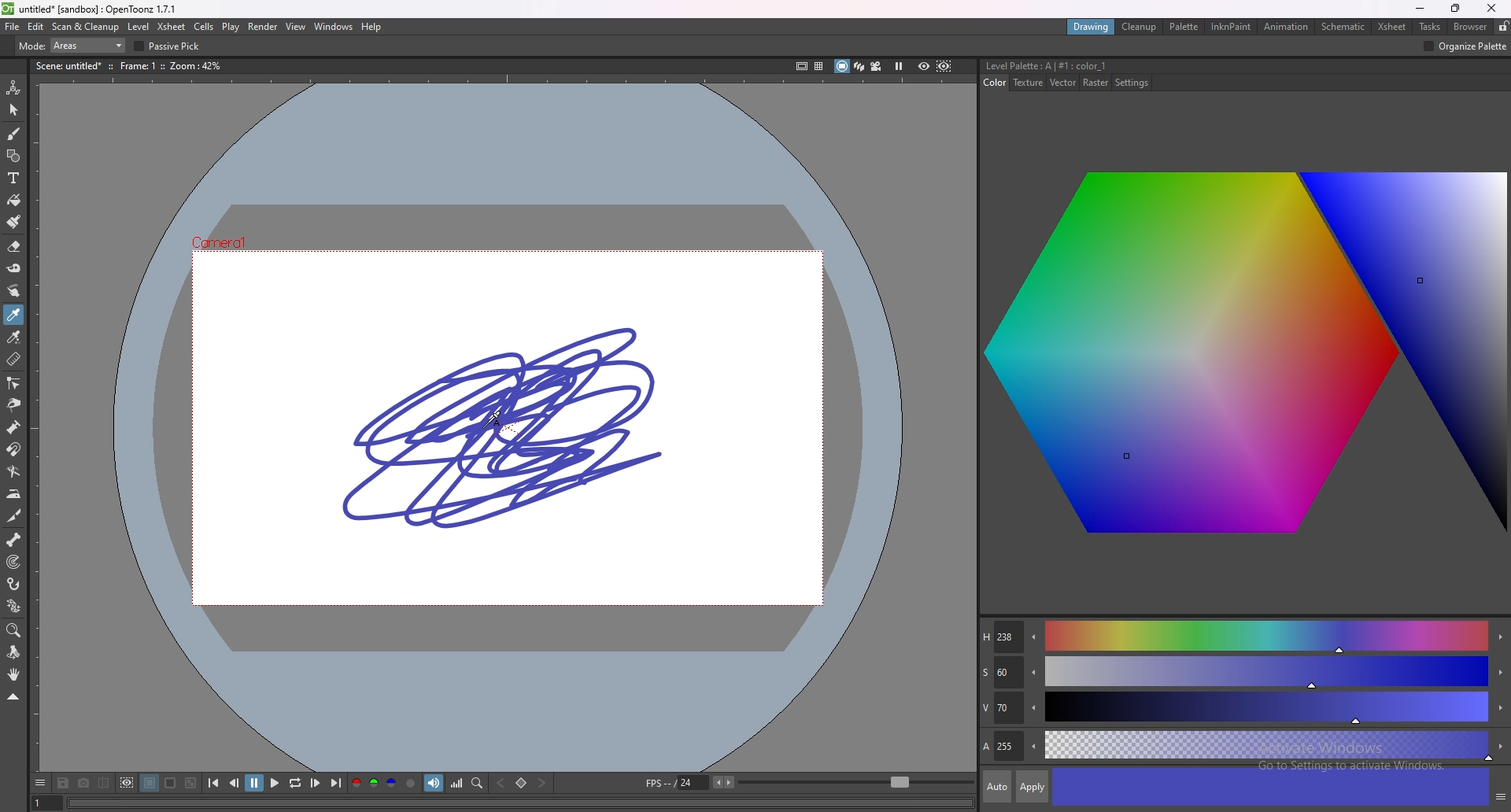 This screenshot has width=1511, height=812. I want to click on locator, so click(478, 783).